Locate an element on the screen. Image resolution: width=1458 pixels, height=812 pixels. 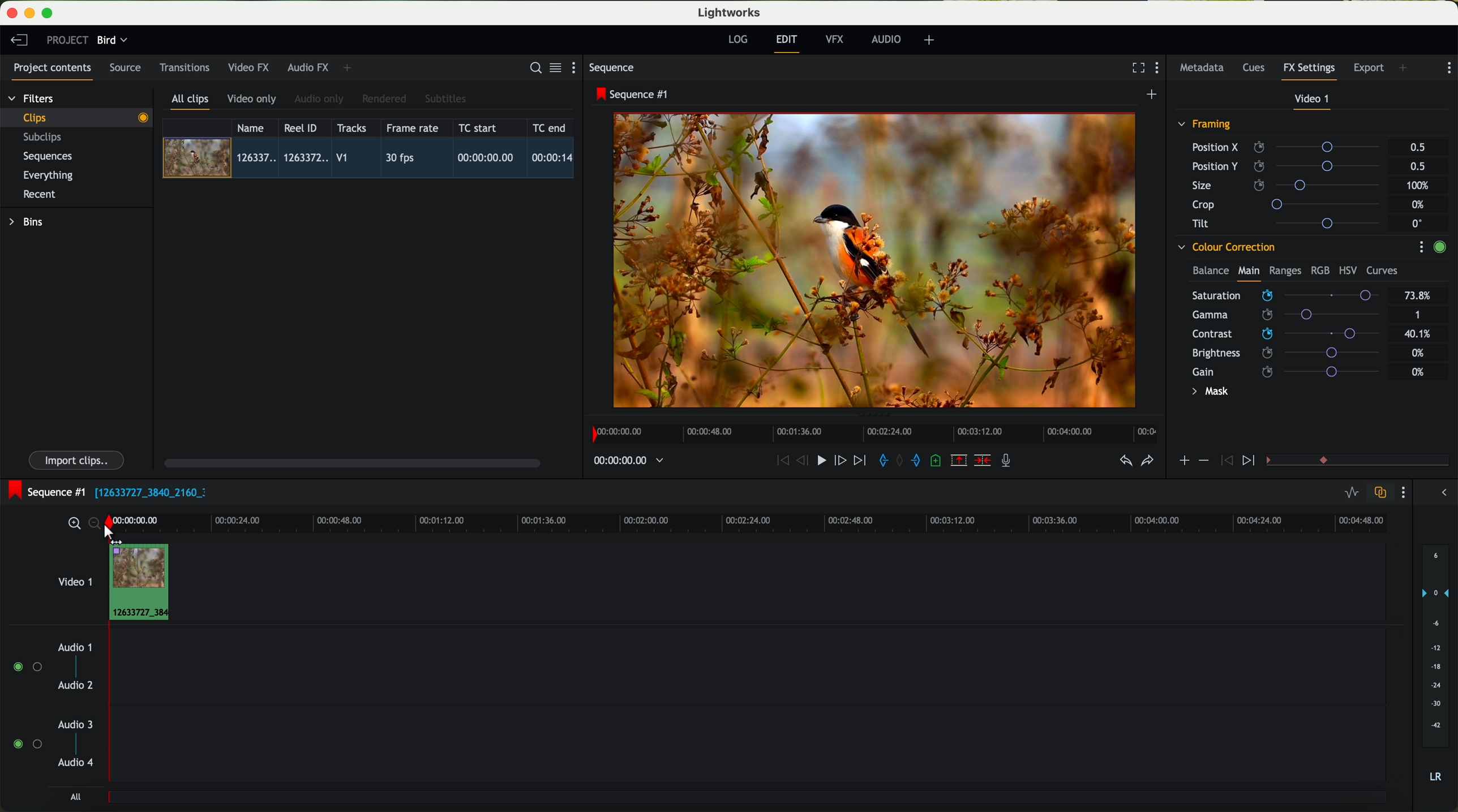
audio 3 is located at coordinates (70, 724).